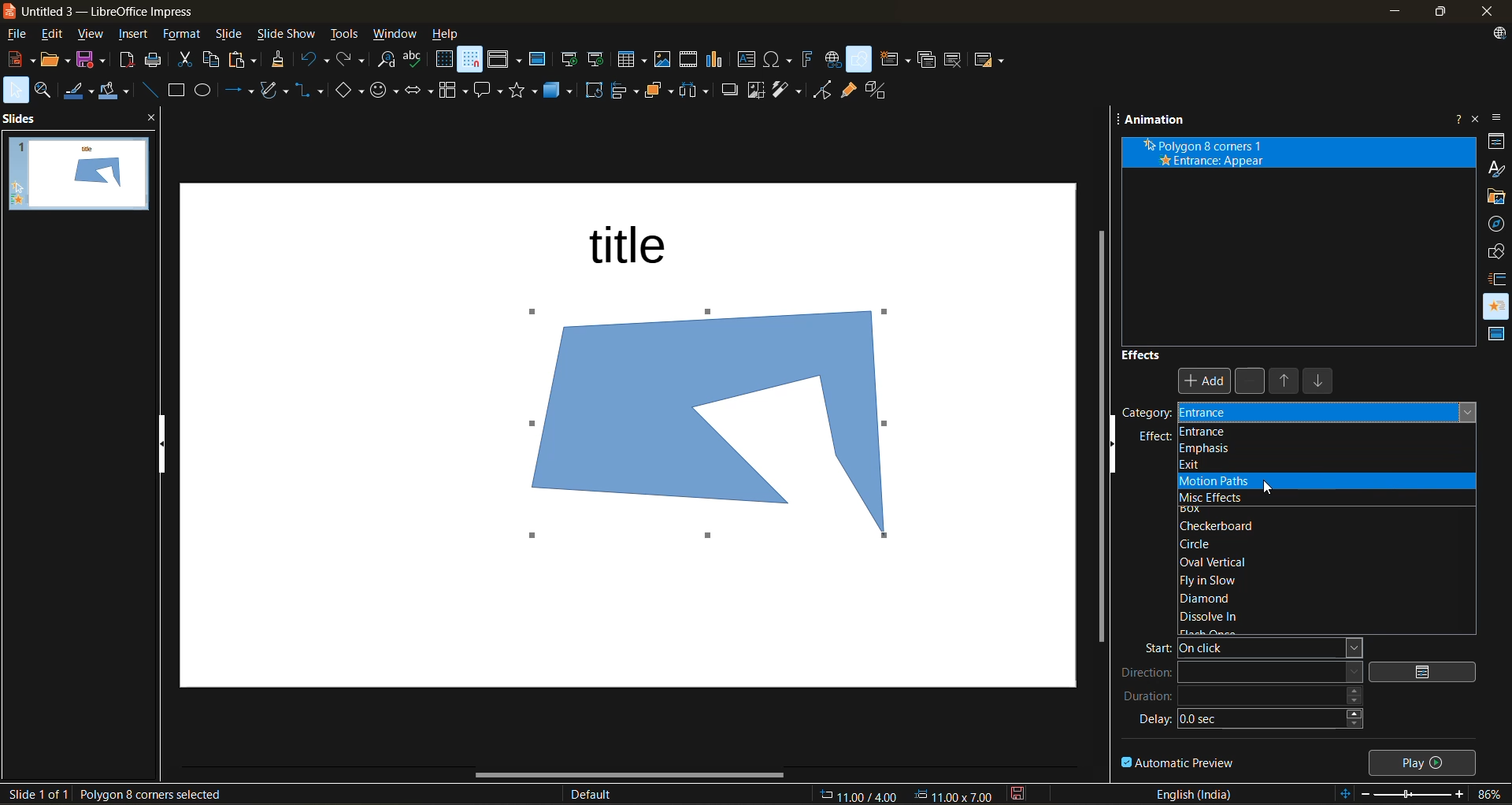  I want to click on Entrance, so click(1221, 414).